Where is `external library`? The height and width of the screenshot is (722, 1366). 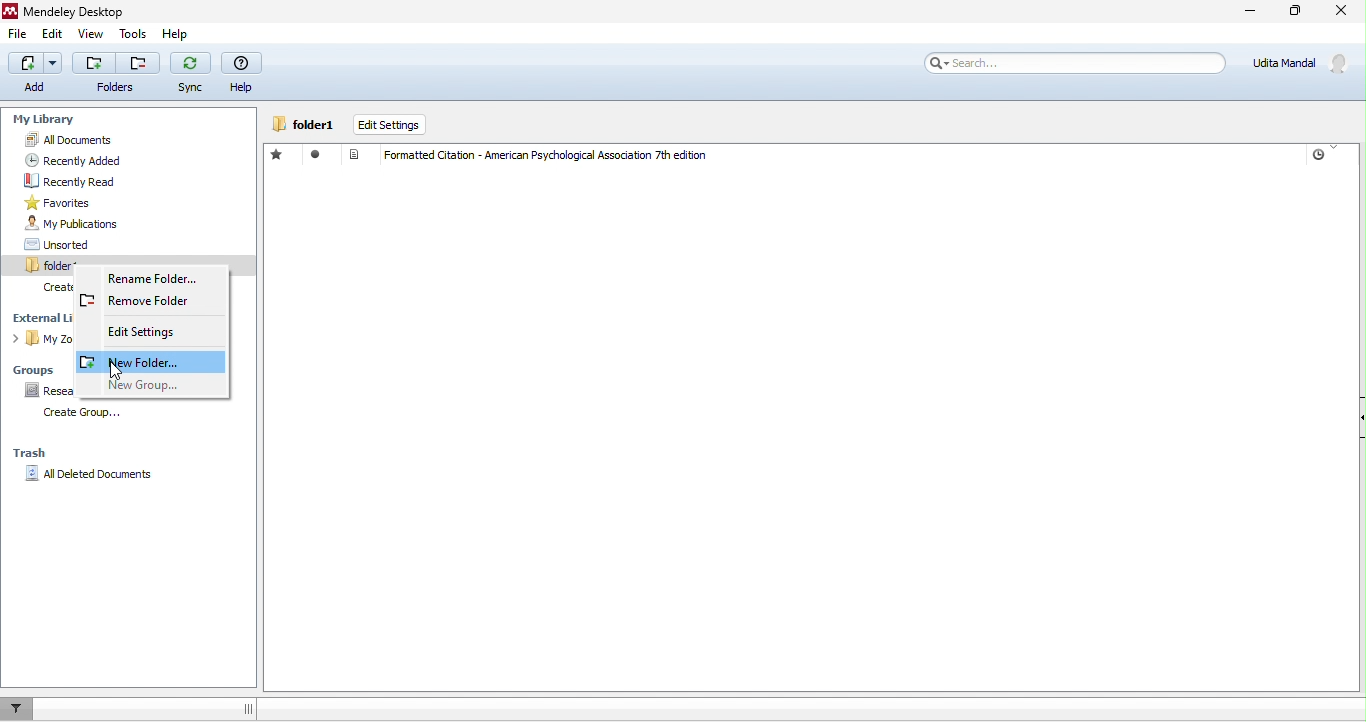 external library is located at coordinates (39, 318).